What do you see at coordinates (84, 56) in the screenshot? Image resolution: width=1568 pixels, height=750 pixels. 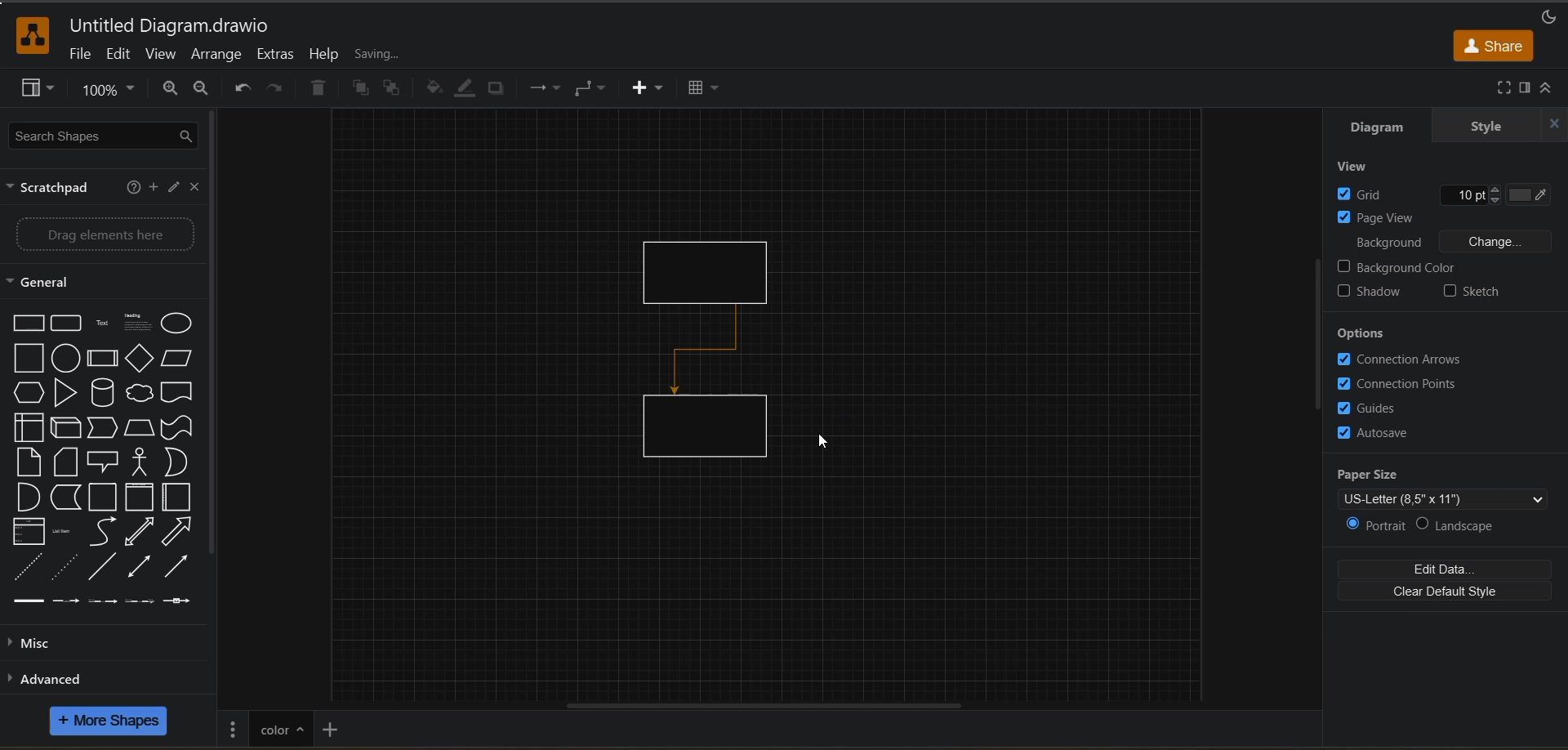 I see `file` at bounding box center [84, 56].